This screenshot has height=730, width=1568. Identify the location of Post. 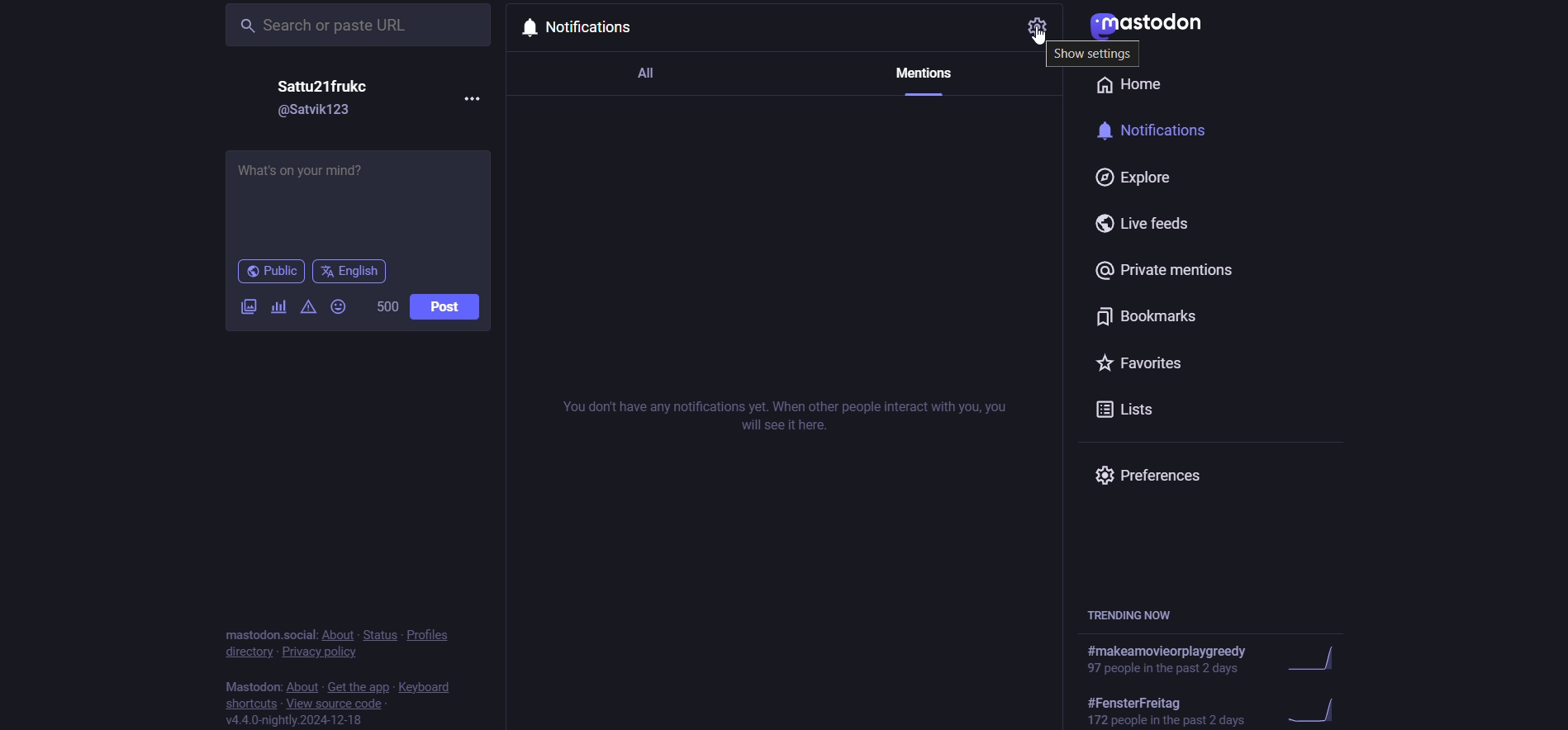
(446, 306).